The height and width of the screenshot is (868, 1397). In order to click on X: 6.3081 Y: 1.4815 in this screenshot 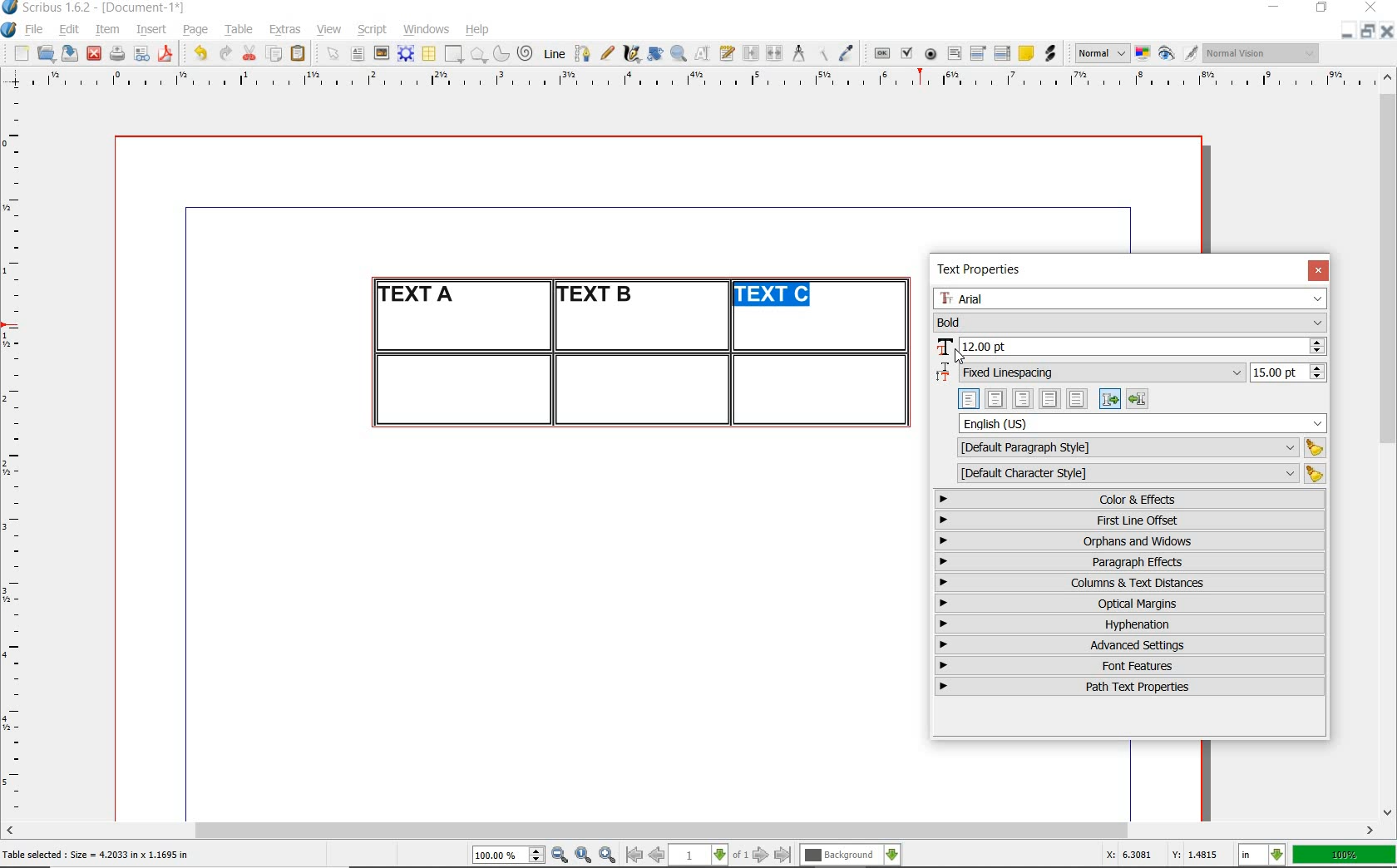, I will do `click(1165, 855)`.